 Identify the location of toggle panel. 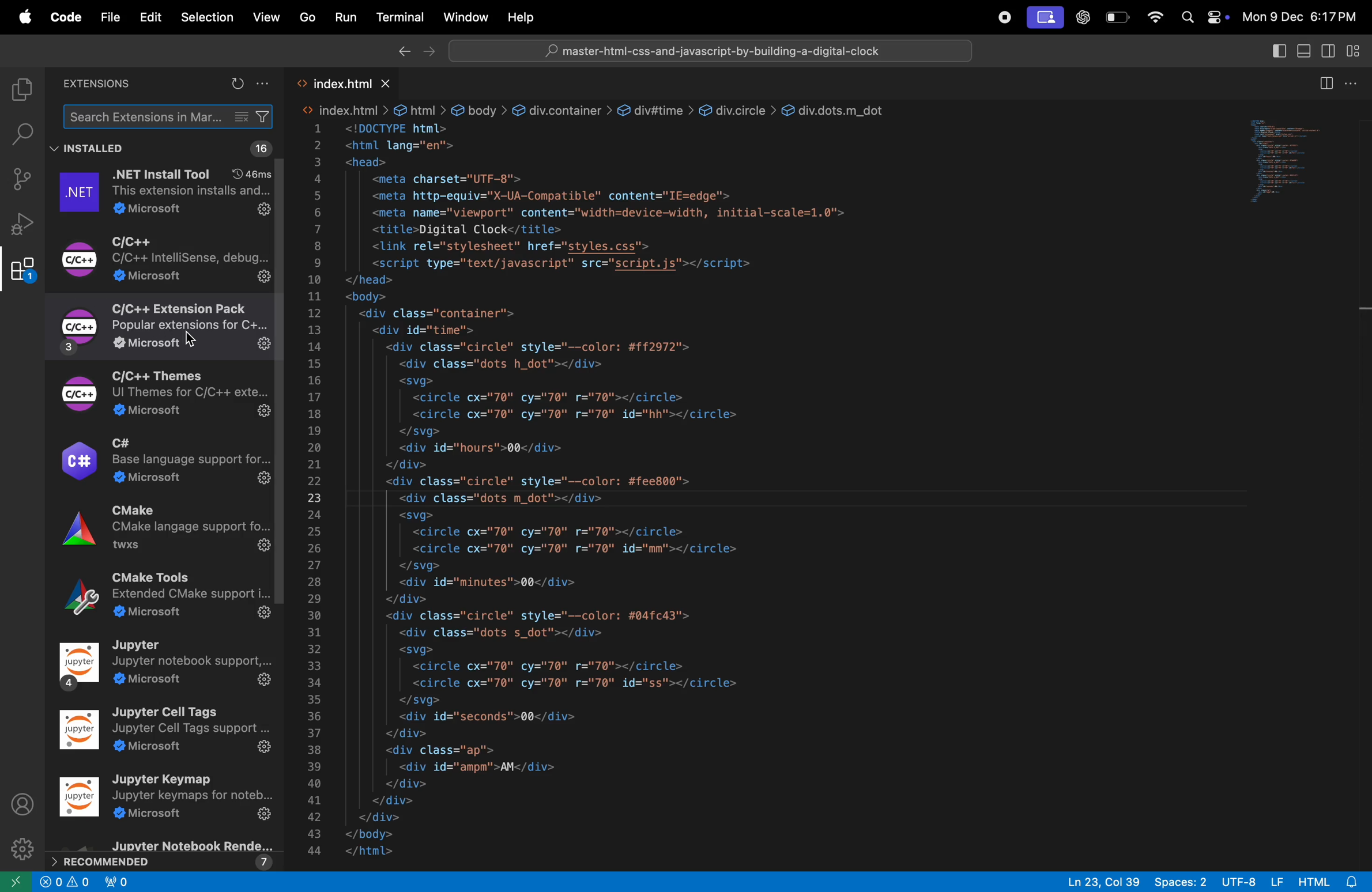
(1301, 50).